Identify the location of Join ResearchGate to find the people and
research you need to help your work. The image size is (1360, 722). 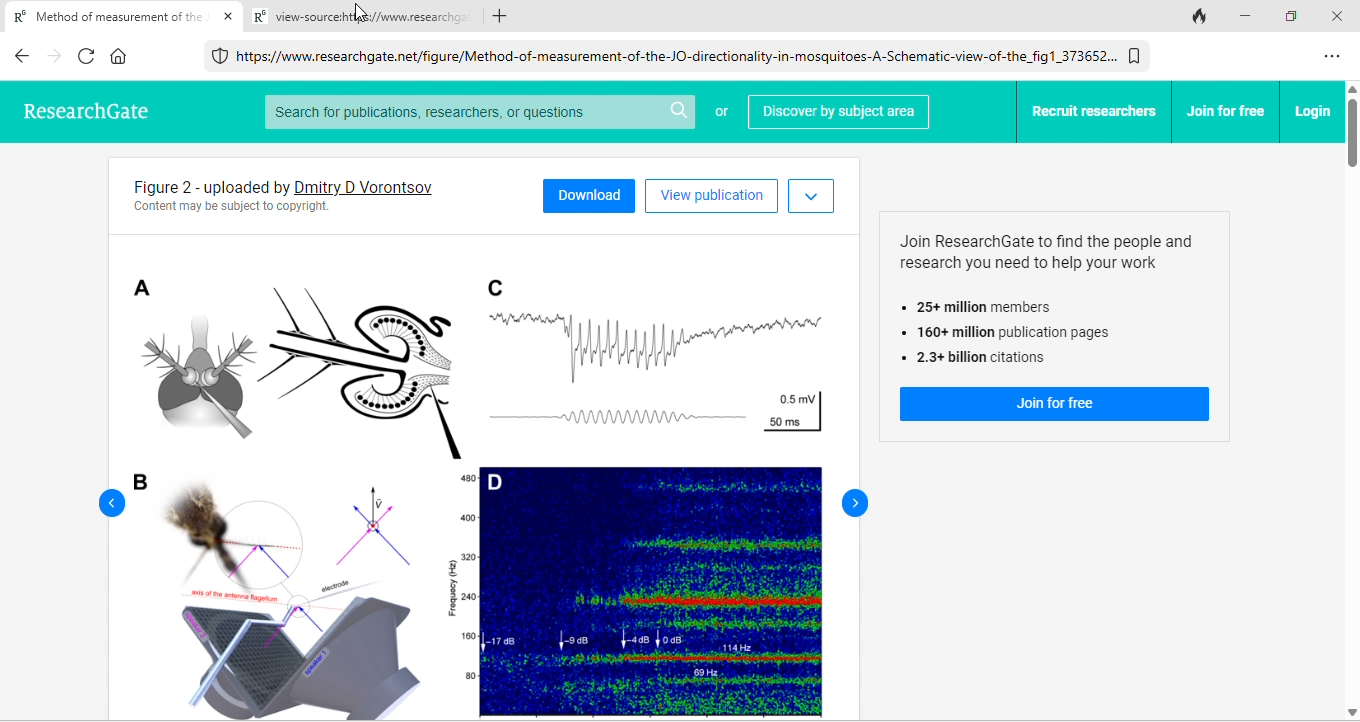
(1035, 251).